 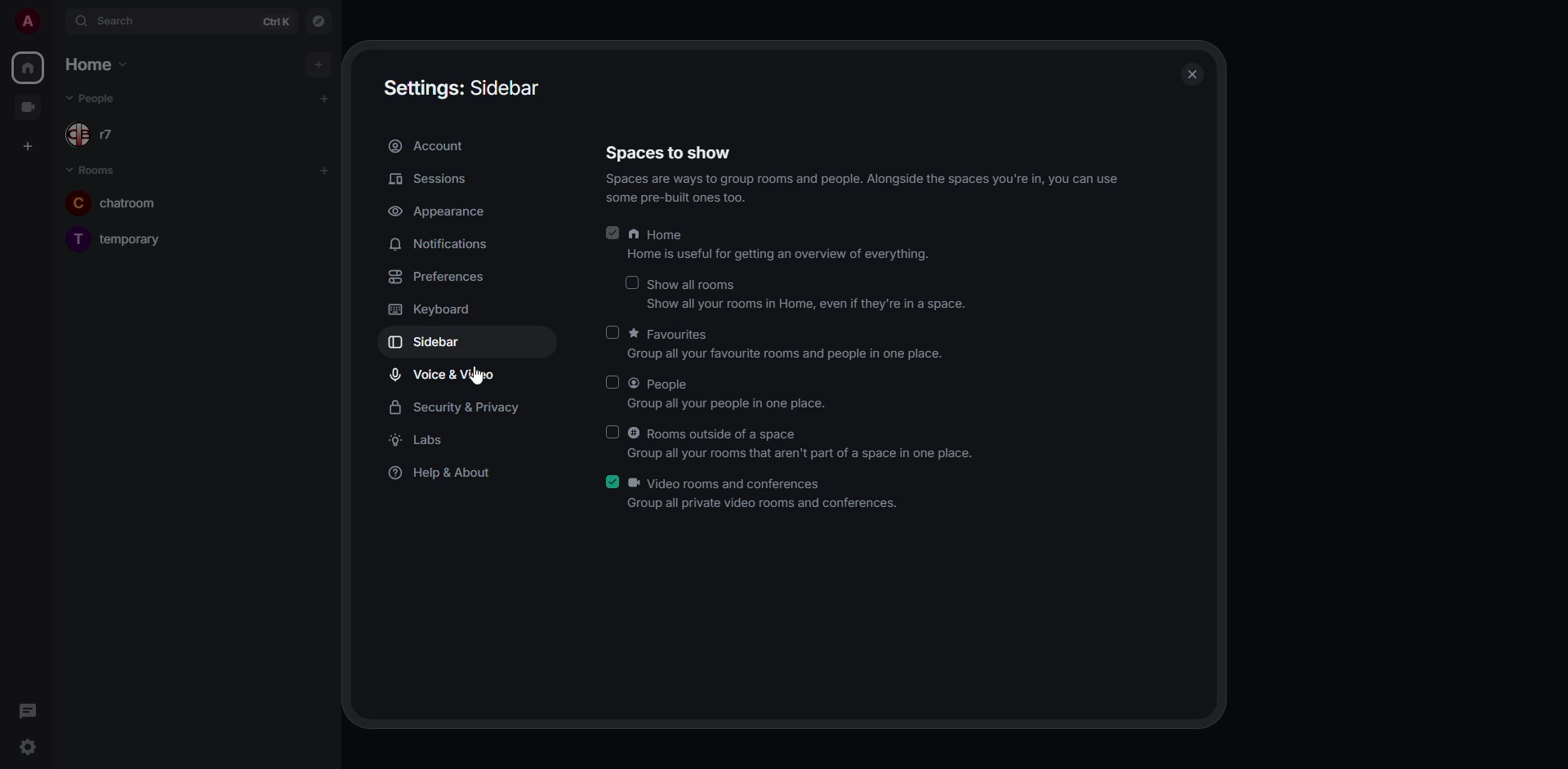 What do you see at coordinates (28, 710) in the screenshot?
I see `threads` at bounding box center [28, 710].